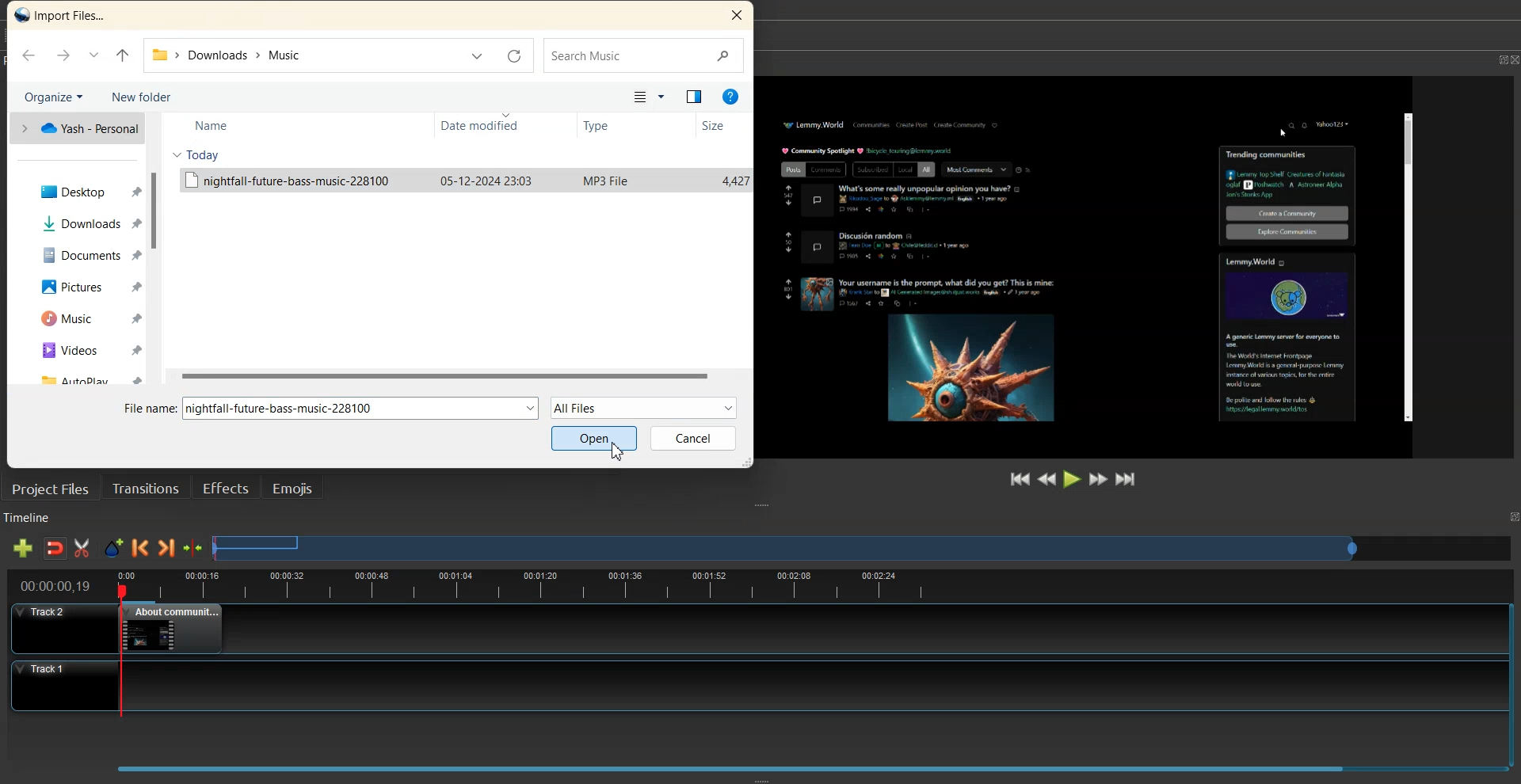 The width and height of the screenshot is (1521, 784). Describe the element at coordinates (643, 407) in the screenshot. I see `All Files` at that location.